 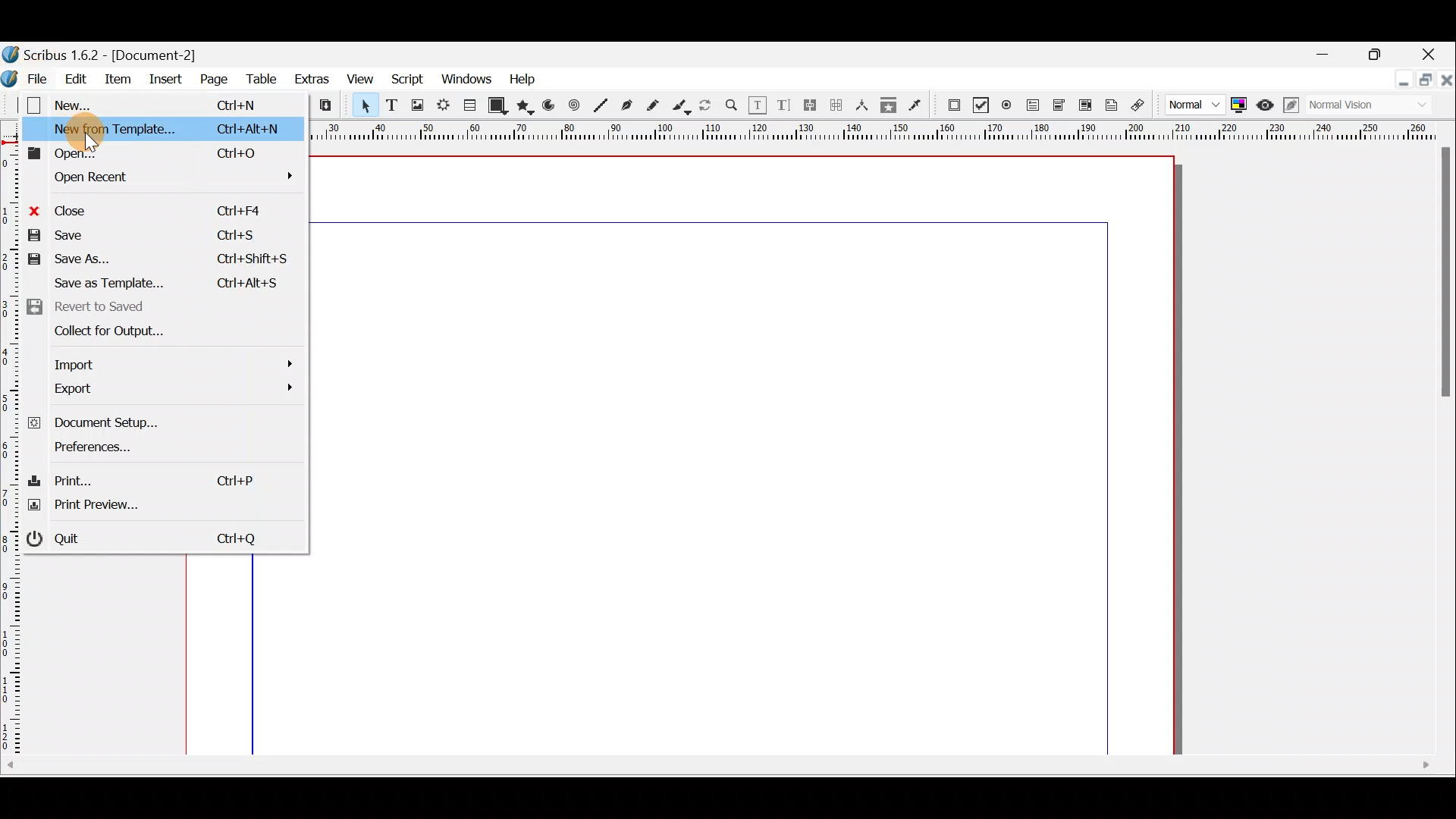 What do you see at coordinates (162, 281) in the screenshot?
I see `Save as template` at bounding box center [162, 281].